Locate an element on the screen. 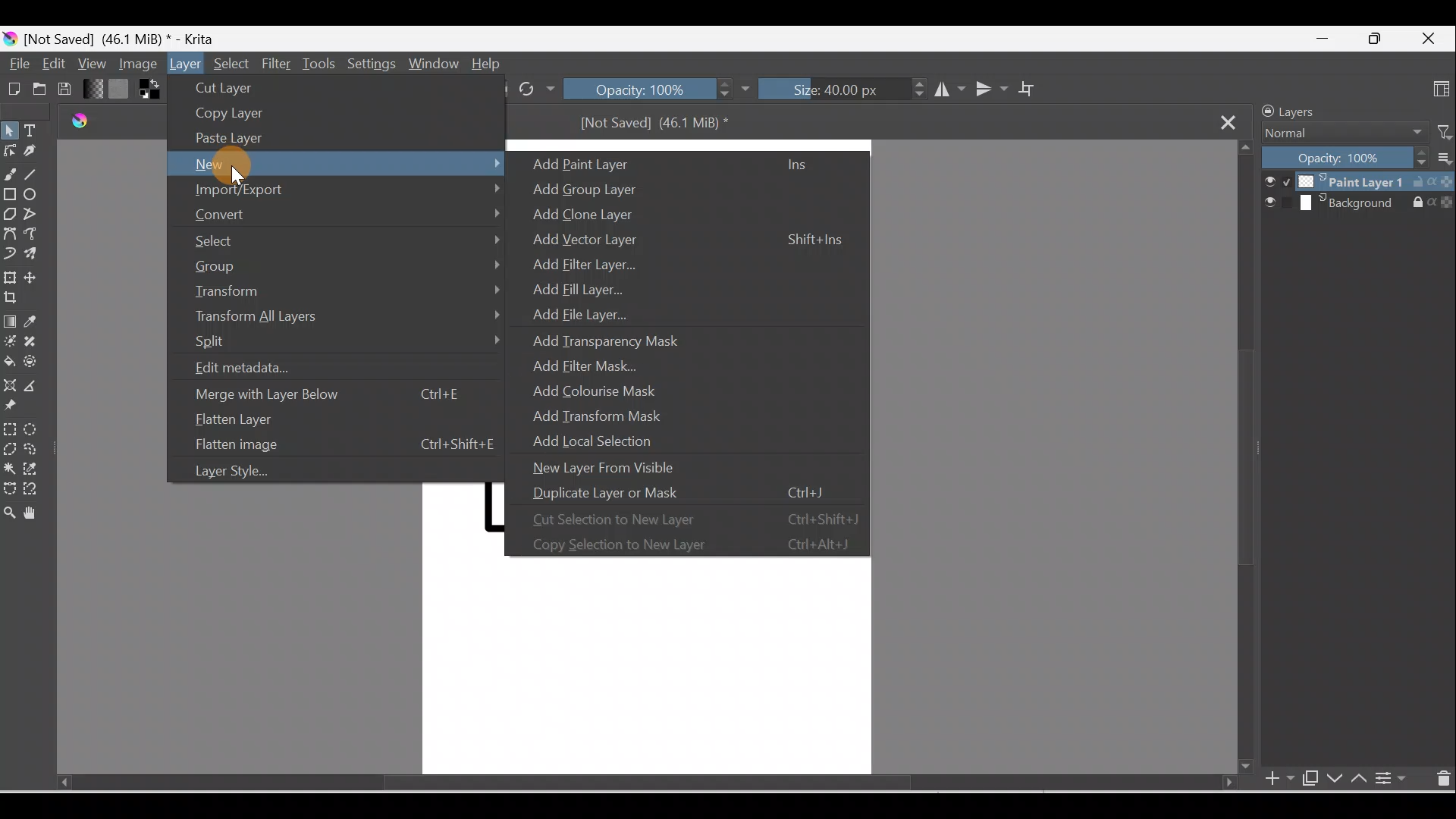 This screenshot has height=819, width=1456. Move a layer is located at coordinates (38, 278).